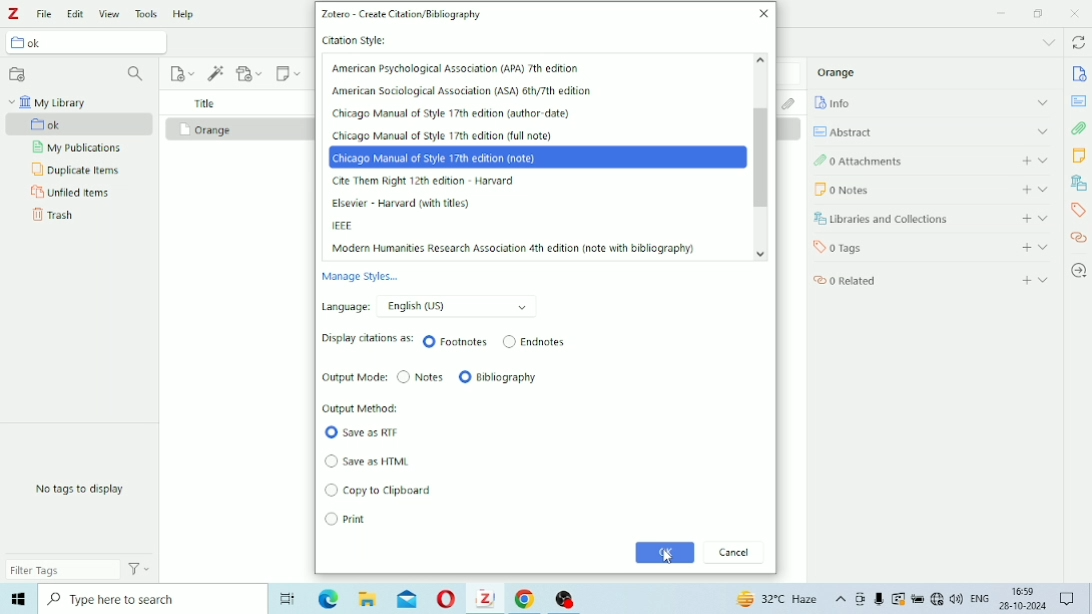 The width and height of the screenshot is (1092, 614). I want to click on Elsevier - Harvard (with titles), so click(401, 204).